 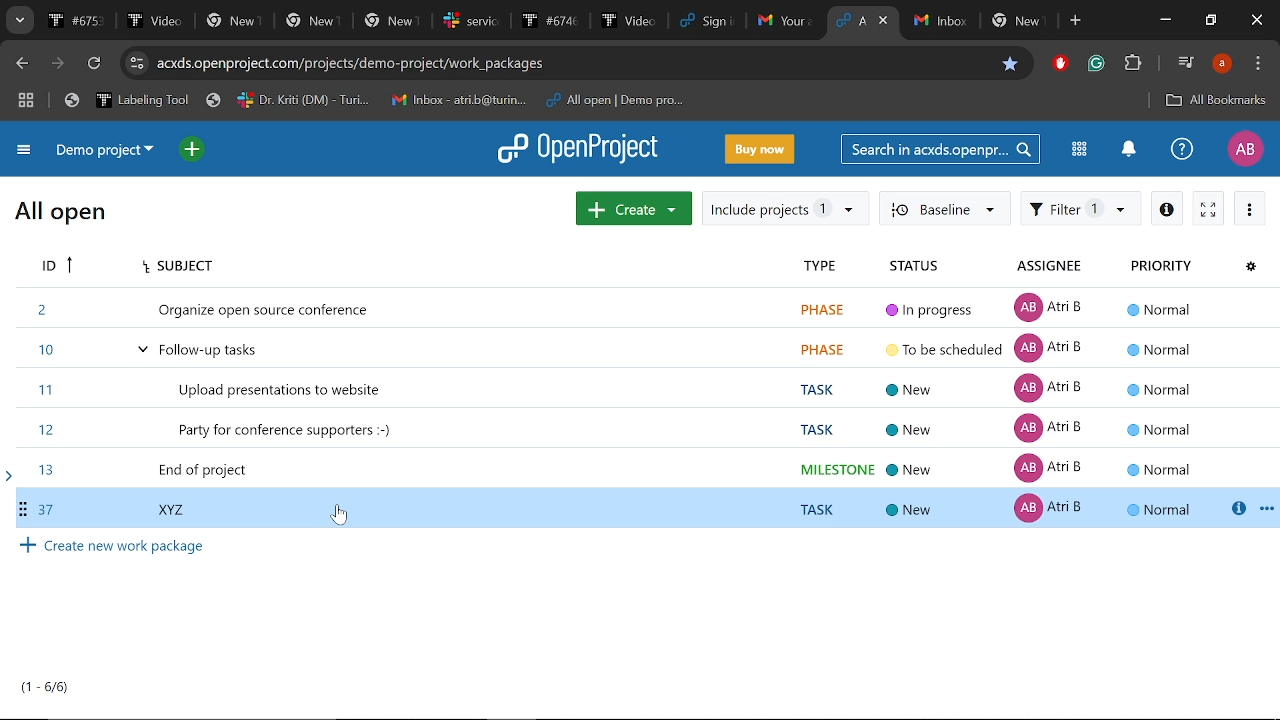 What do you see at coordinates (1058, 65) in the screenshot?
I see `Add block` at bounding box center [1058, 65].